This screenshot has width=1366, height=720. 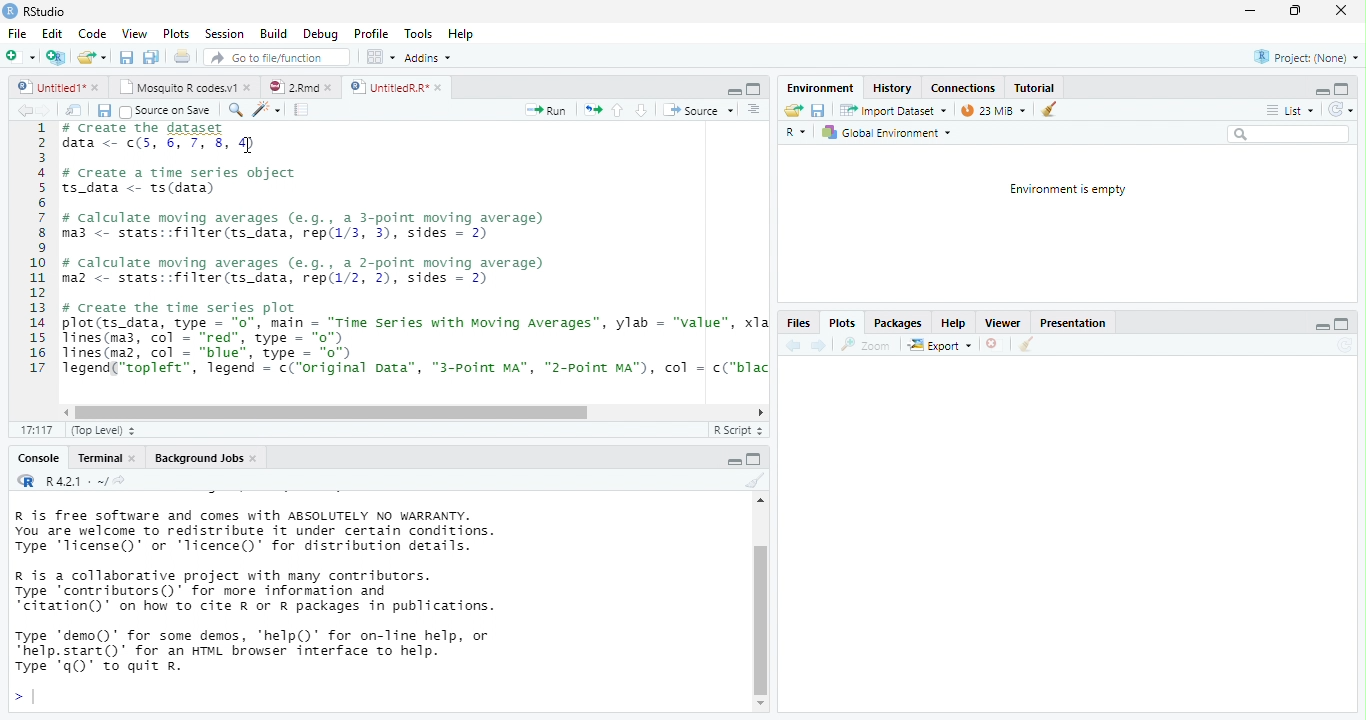 What do you see at coordinates (886, 133) in the screenshot?
I see `Global Environment` at bounding box center [886, 133].